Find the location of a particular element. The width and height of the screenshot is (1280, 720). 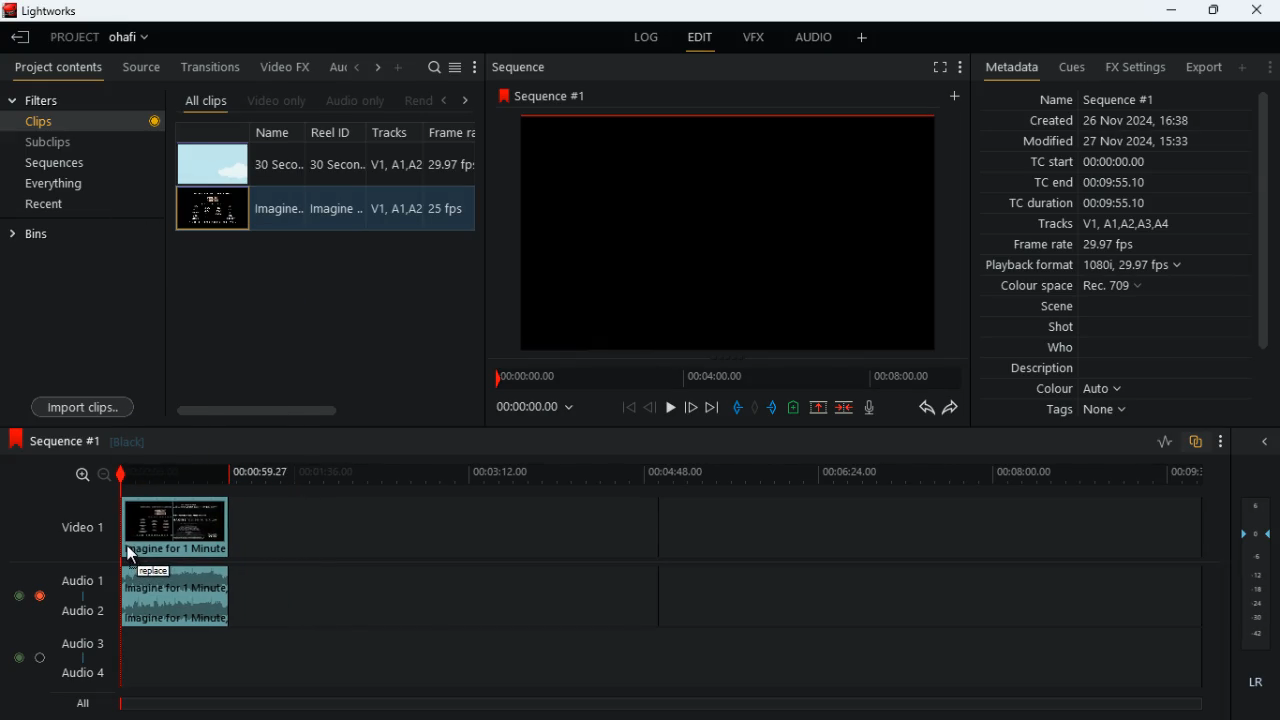

description is located at coordinates (1033, 369).